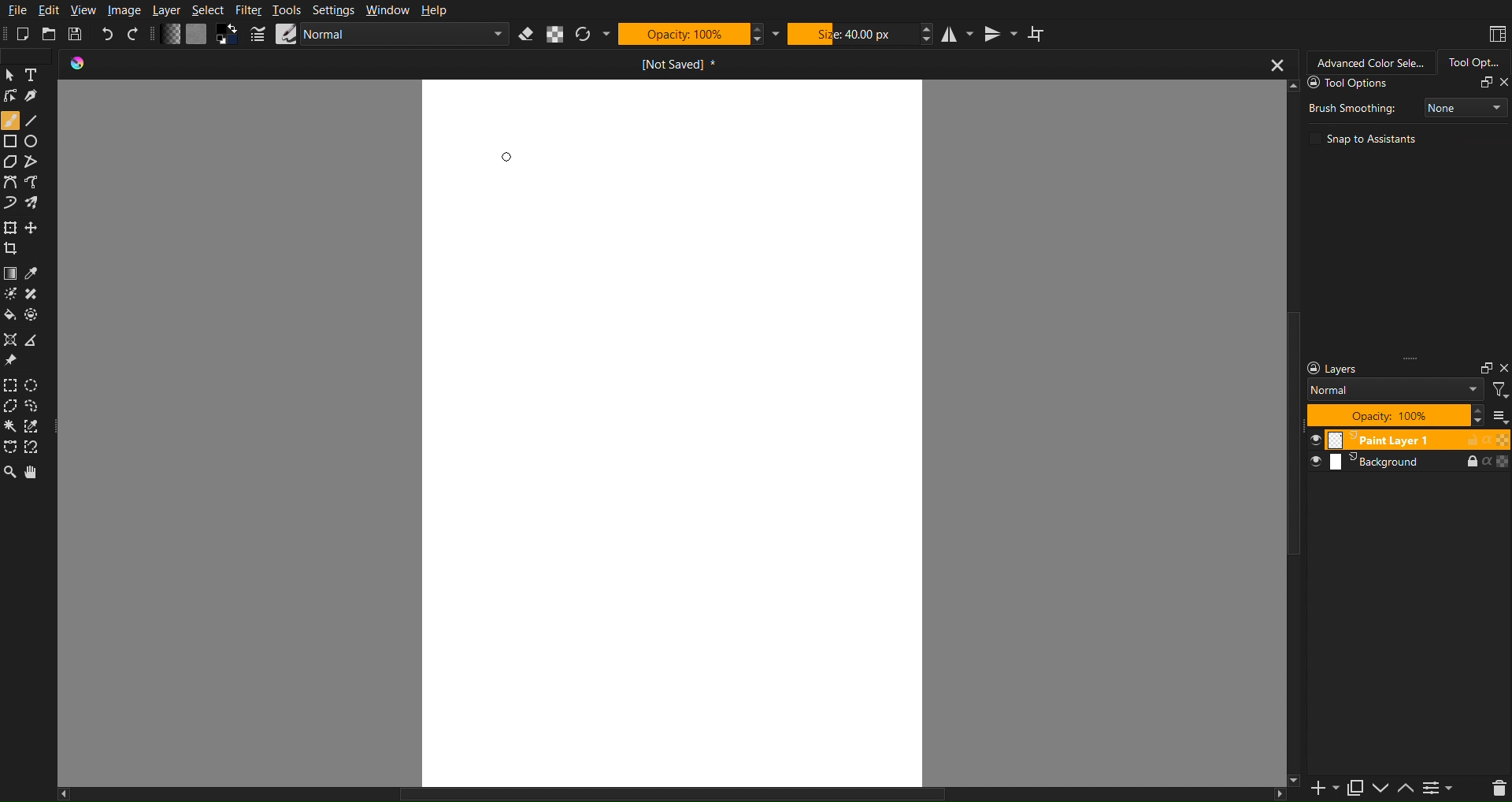  I want to click on Color Options, so click(9, 273).